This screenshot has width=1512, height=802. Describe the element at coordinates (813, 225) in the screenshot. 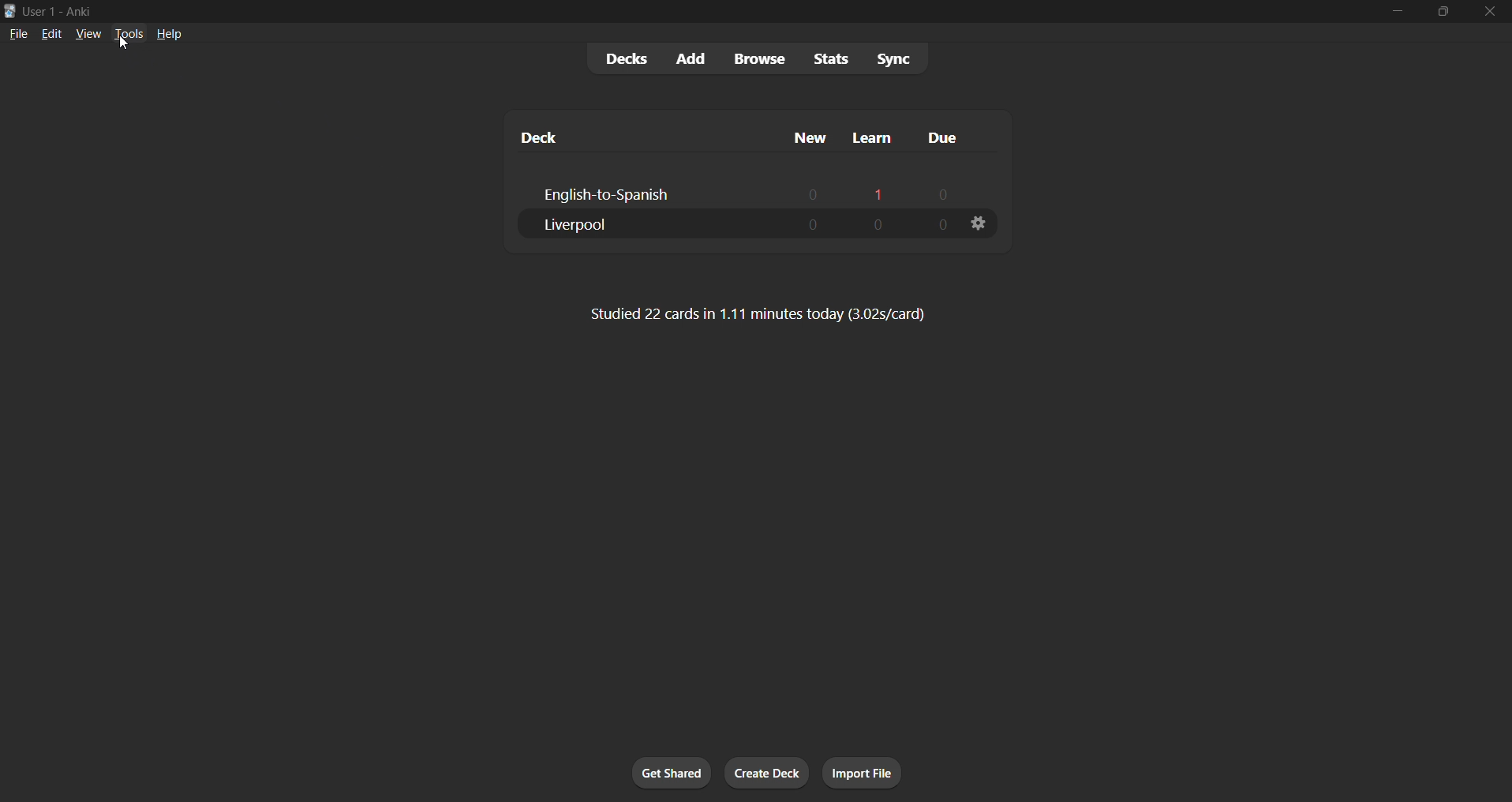

I see `0` at that location.